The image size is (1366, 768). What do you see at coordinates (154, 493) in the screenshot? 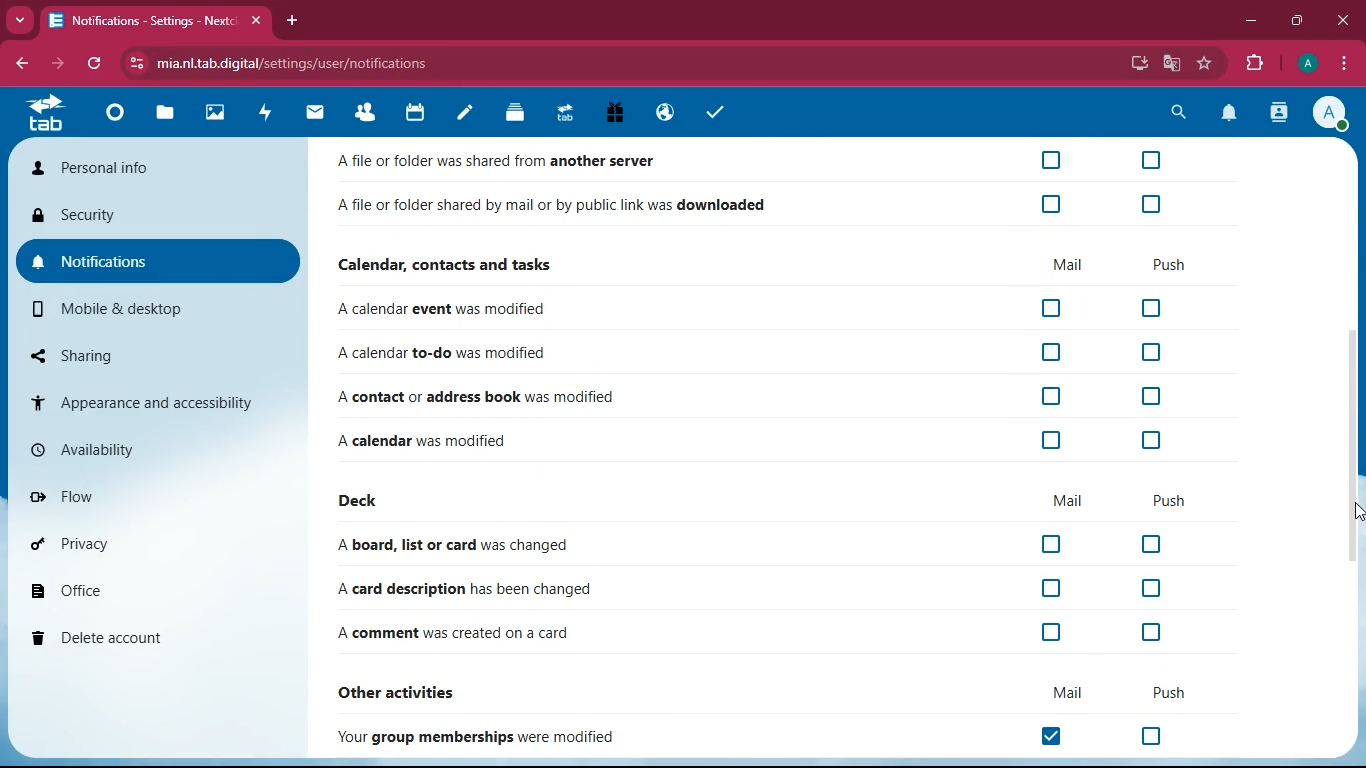
I see `flow` at bounding box center [154, 493].